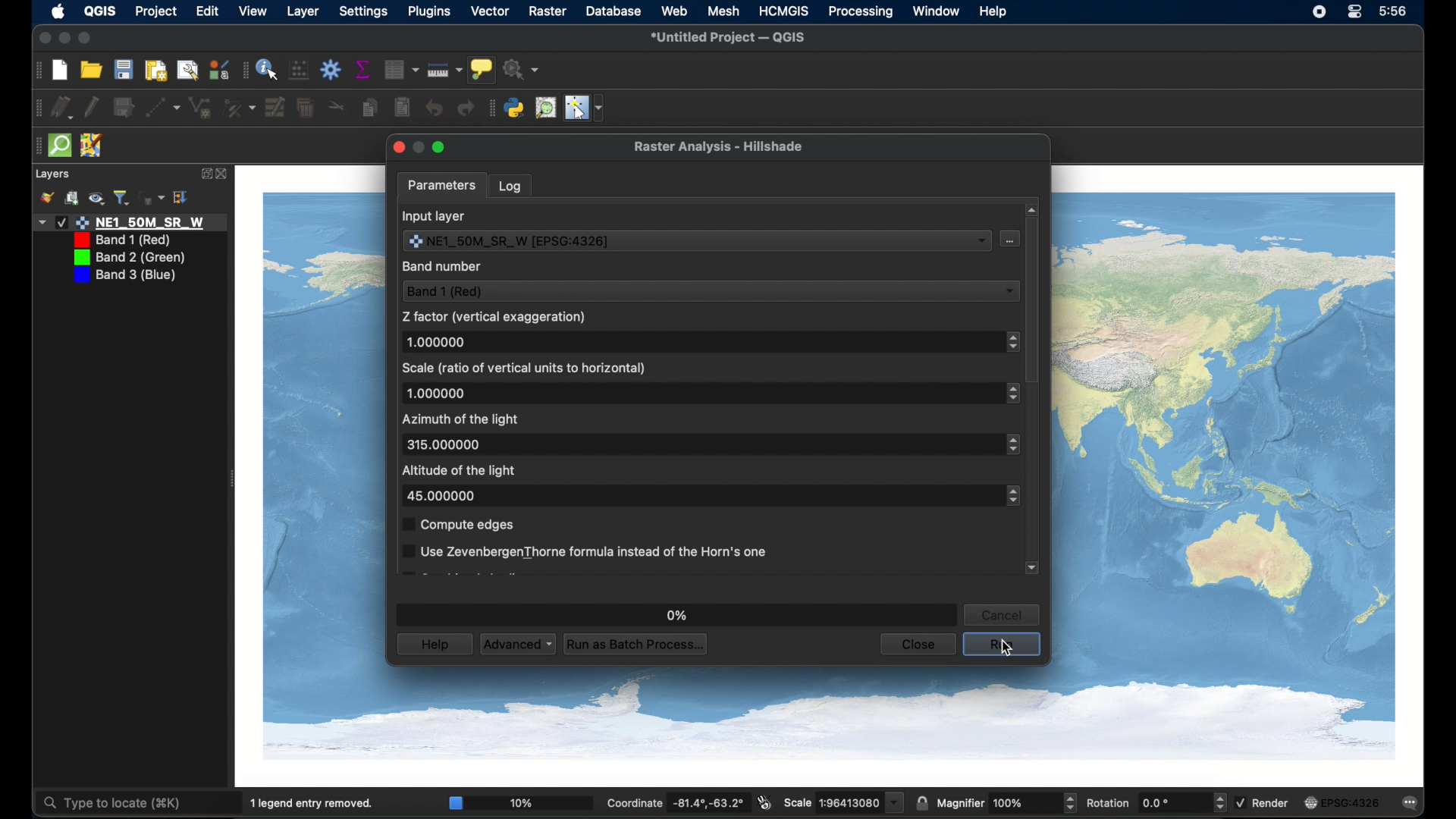 Image resolution: width=1456 pixels, height=819 pixels. I want to click on processing, so click(861, 13).